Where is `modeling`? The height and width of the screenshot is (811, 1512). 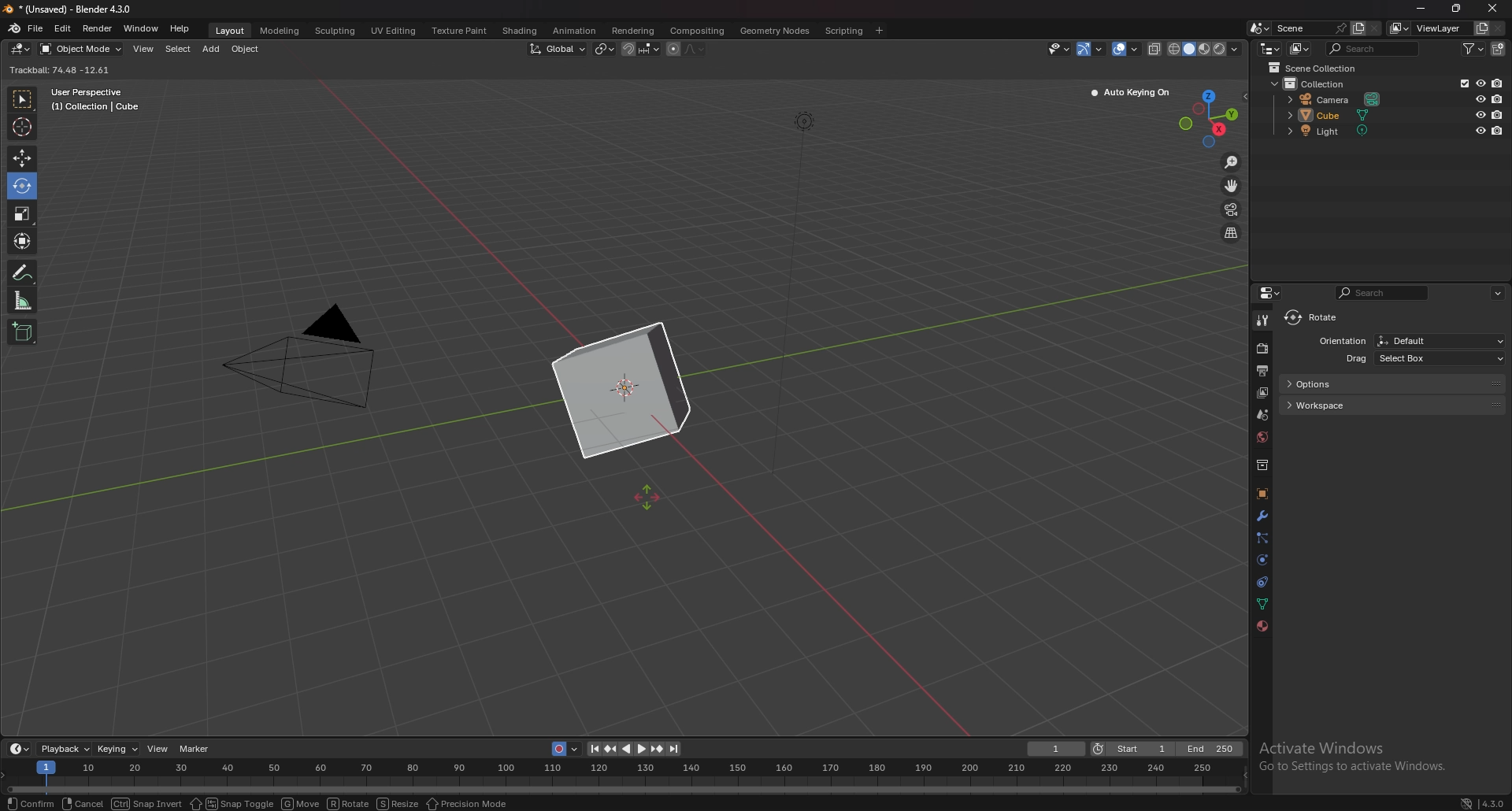
modeling is located at coordinates (281, 31).